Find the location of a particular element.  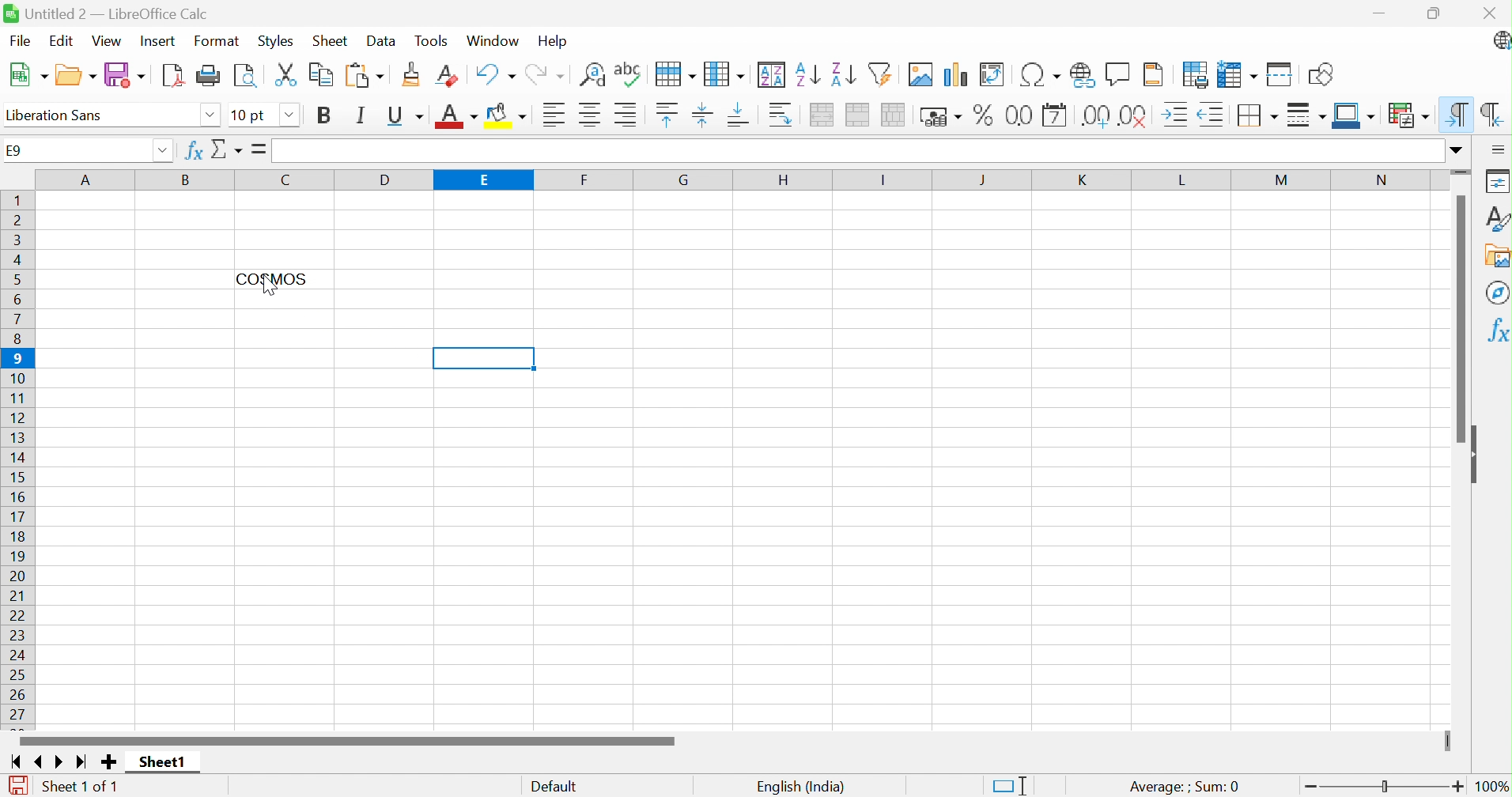

Delete decimal place is located at coordinates (1133, 115).